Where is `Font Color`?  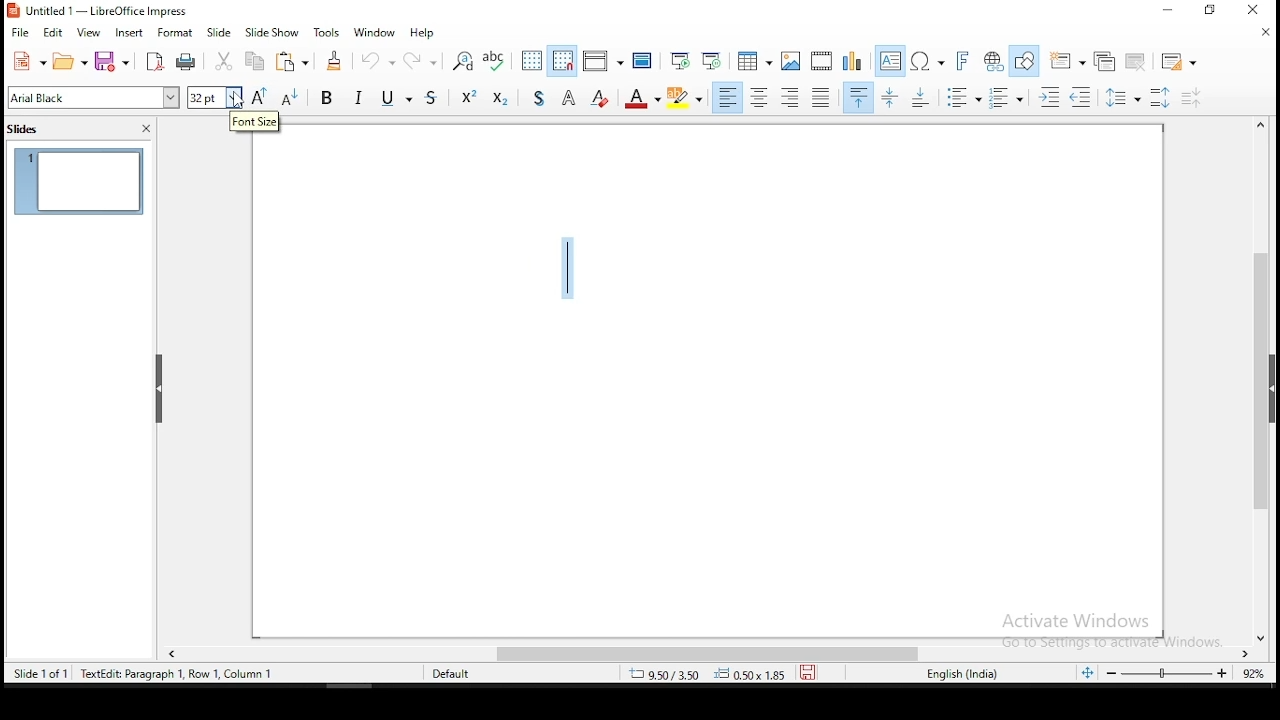 Font Color is located at coordinates (642, 97).